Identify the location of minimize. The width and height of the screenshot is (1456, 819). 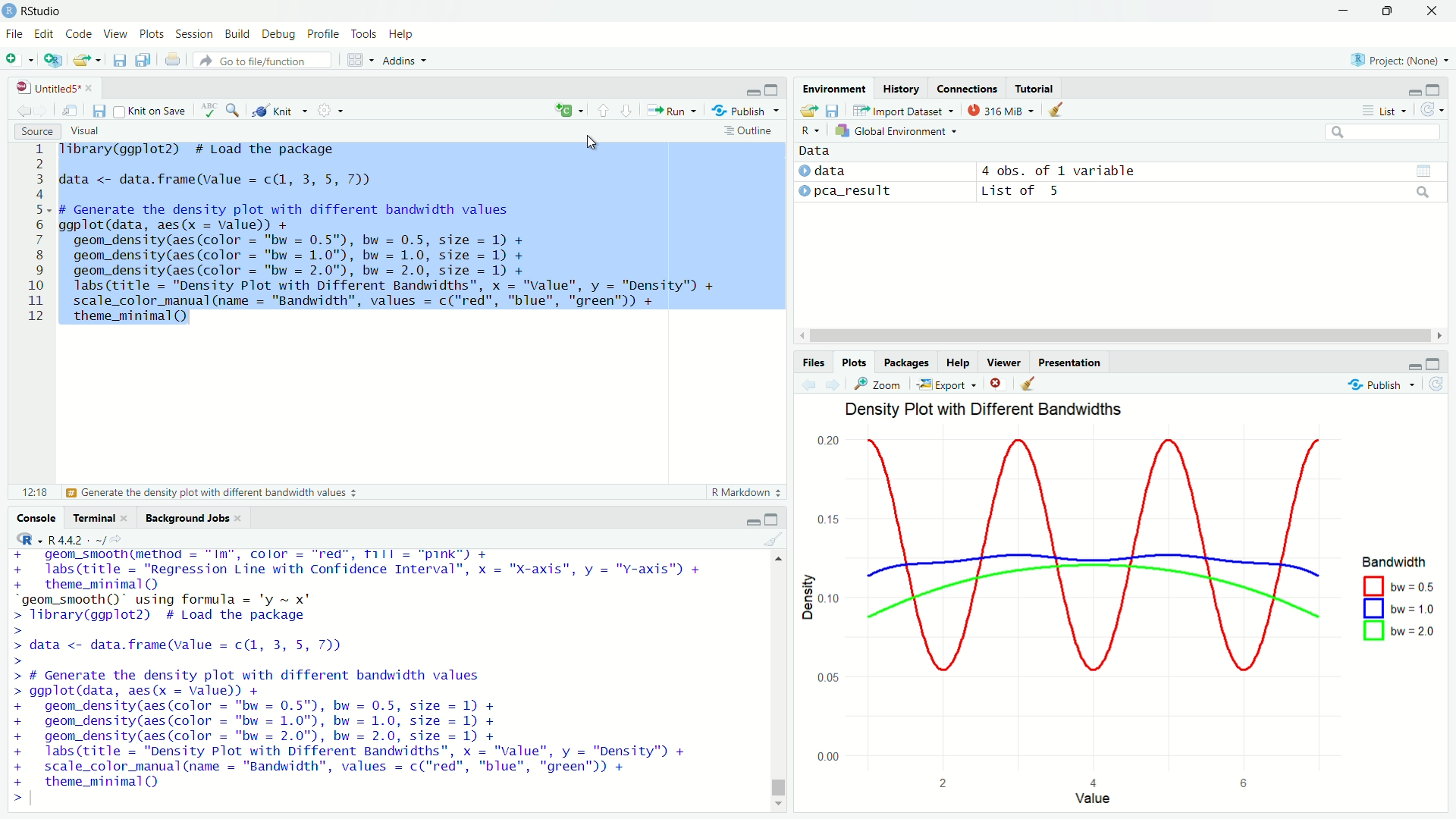
(752, 522).